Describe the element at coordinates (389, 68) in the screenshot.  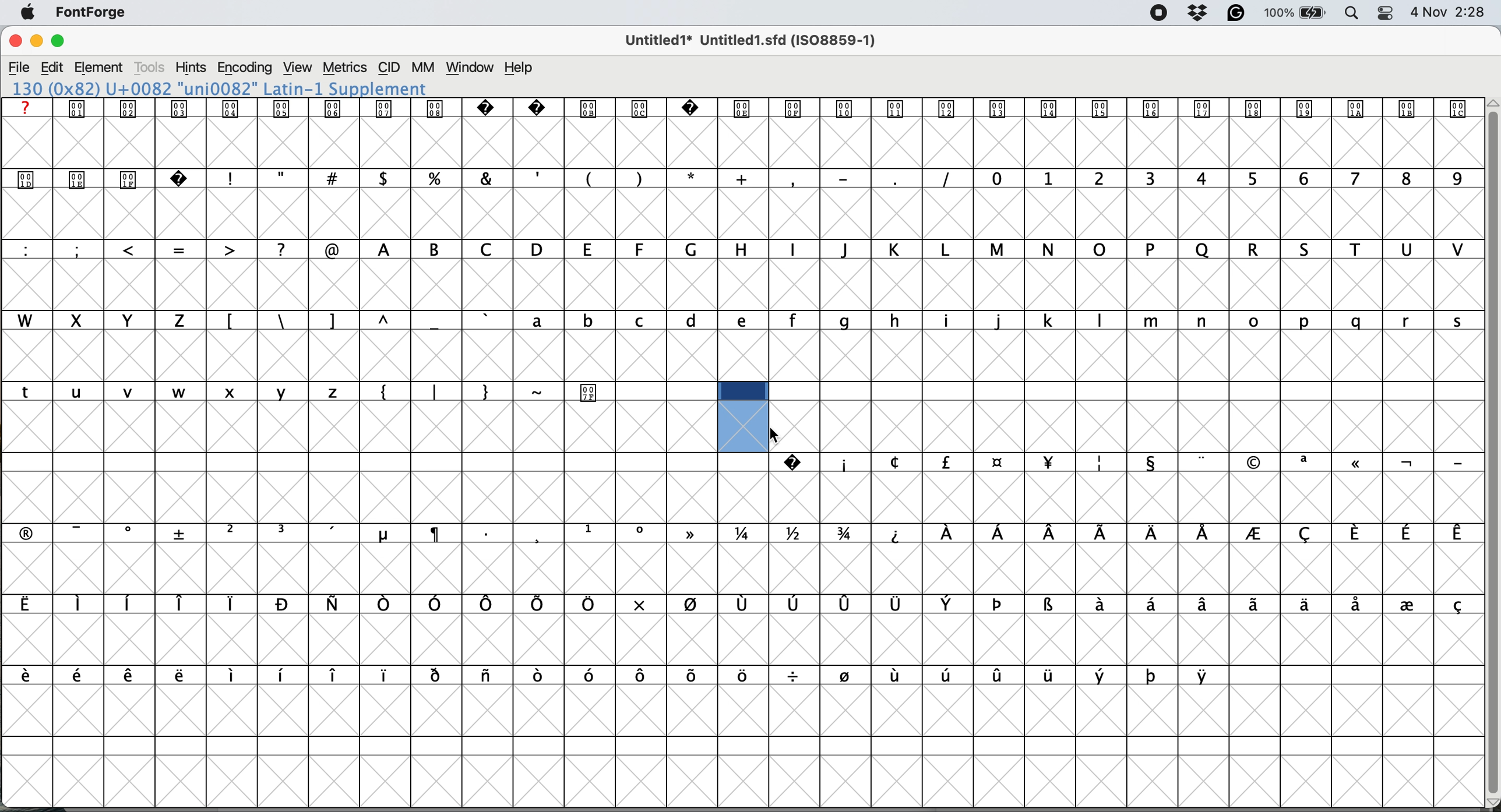
I see `cid` at that location.